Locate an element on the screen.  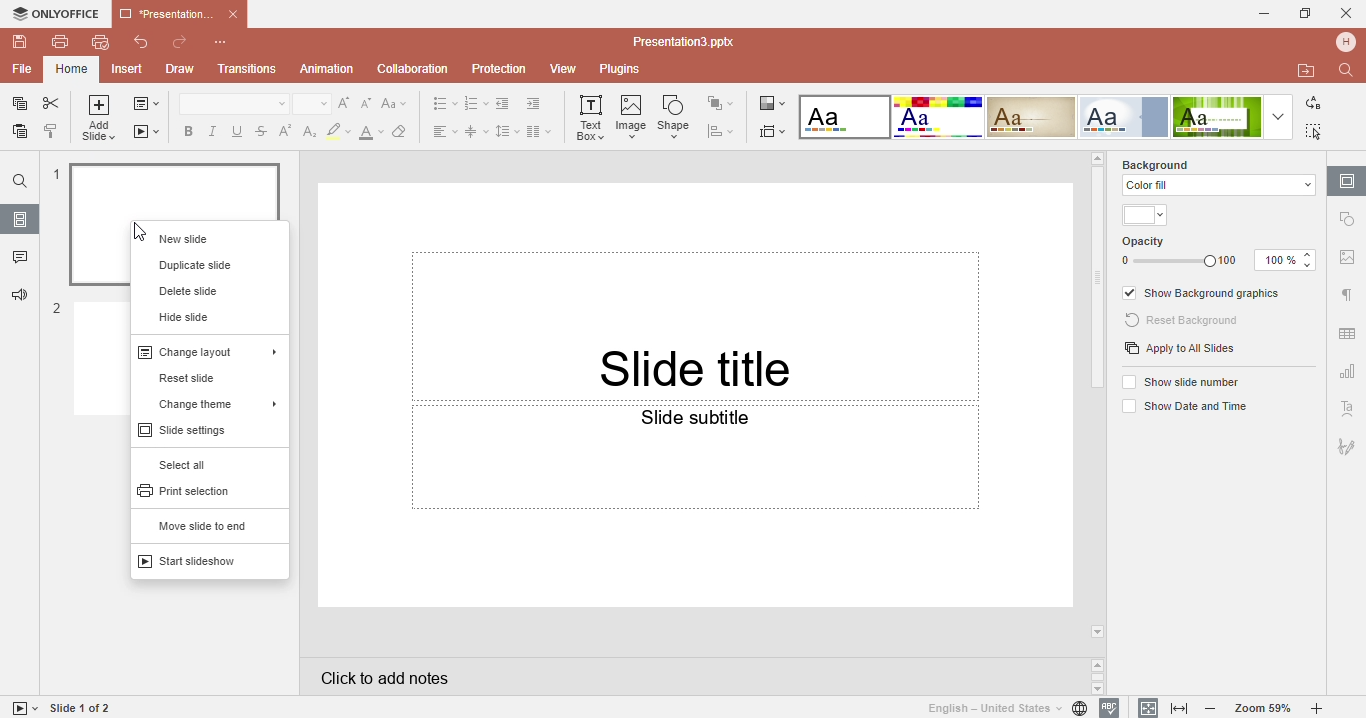
Paste is located at coordinates (17, 135).